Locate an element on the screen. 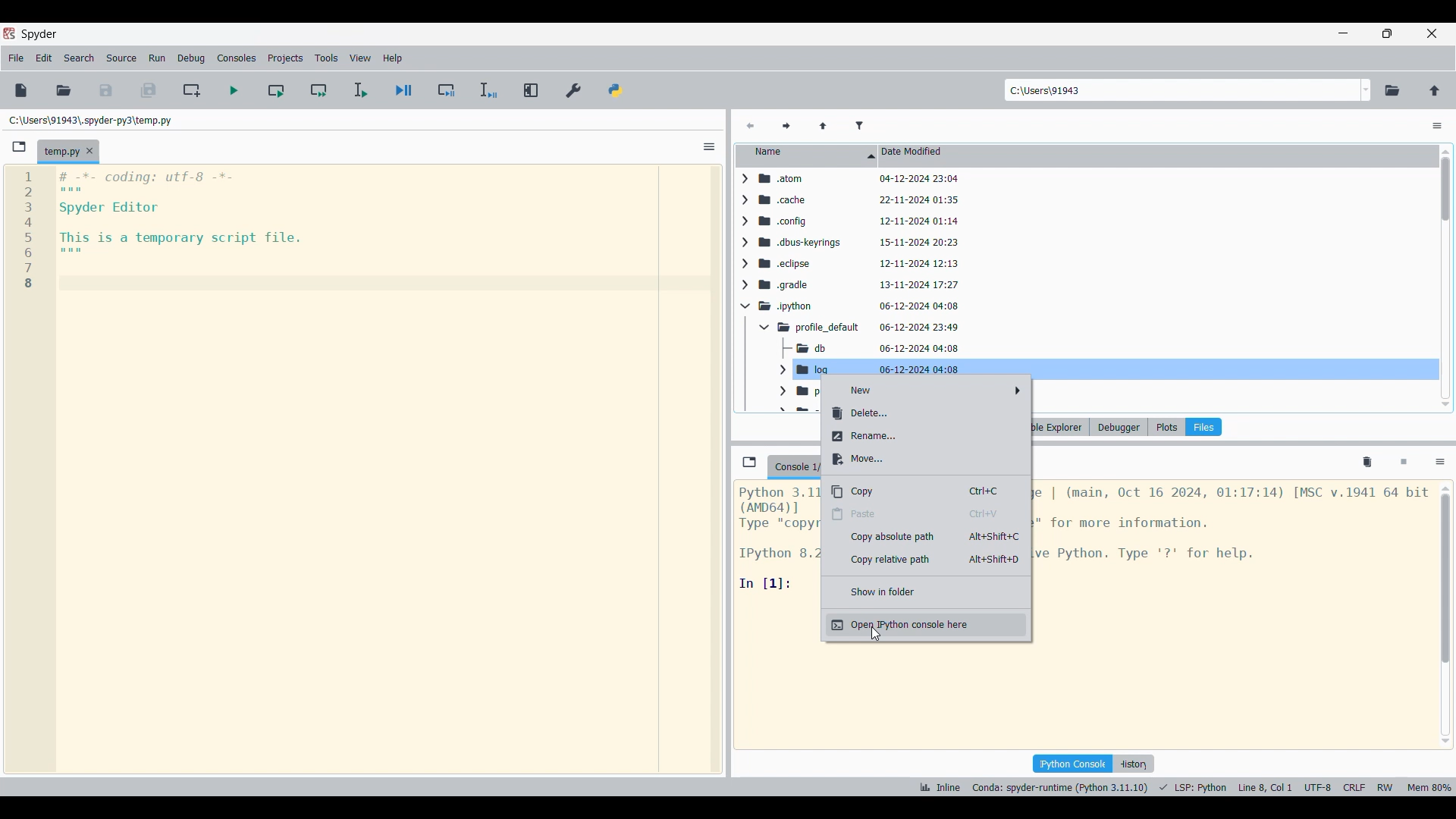 The height and width of the screenshot is (819, 1456). Details of current code is located at coordinates (1185, 787).